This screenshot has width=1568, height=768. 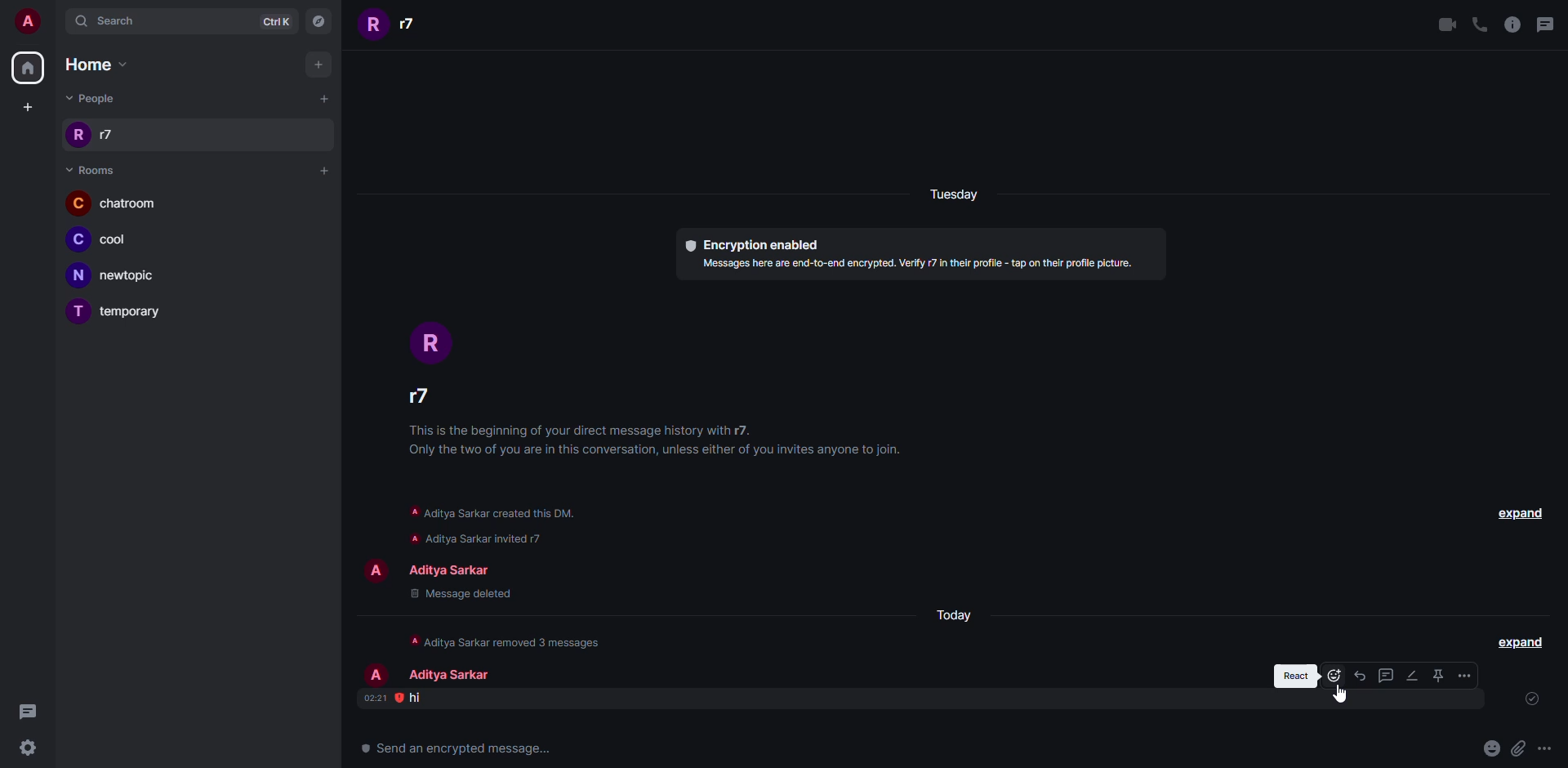 What do you see at coordinates (1515, 513) in the screenshot?
I see `expand` at bounding box center [1515, 513].